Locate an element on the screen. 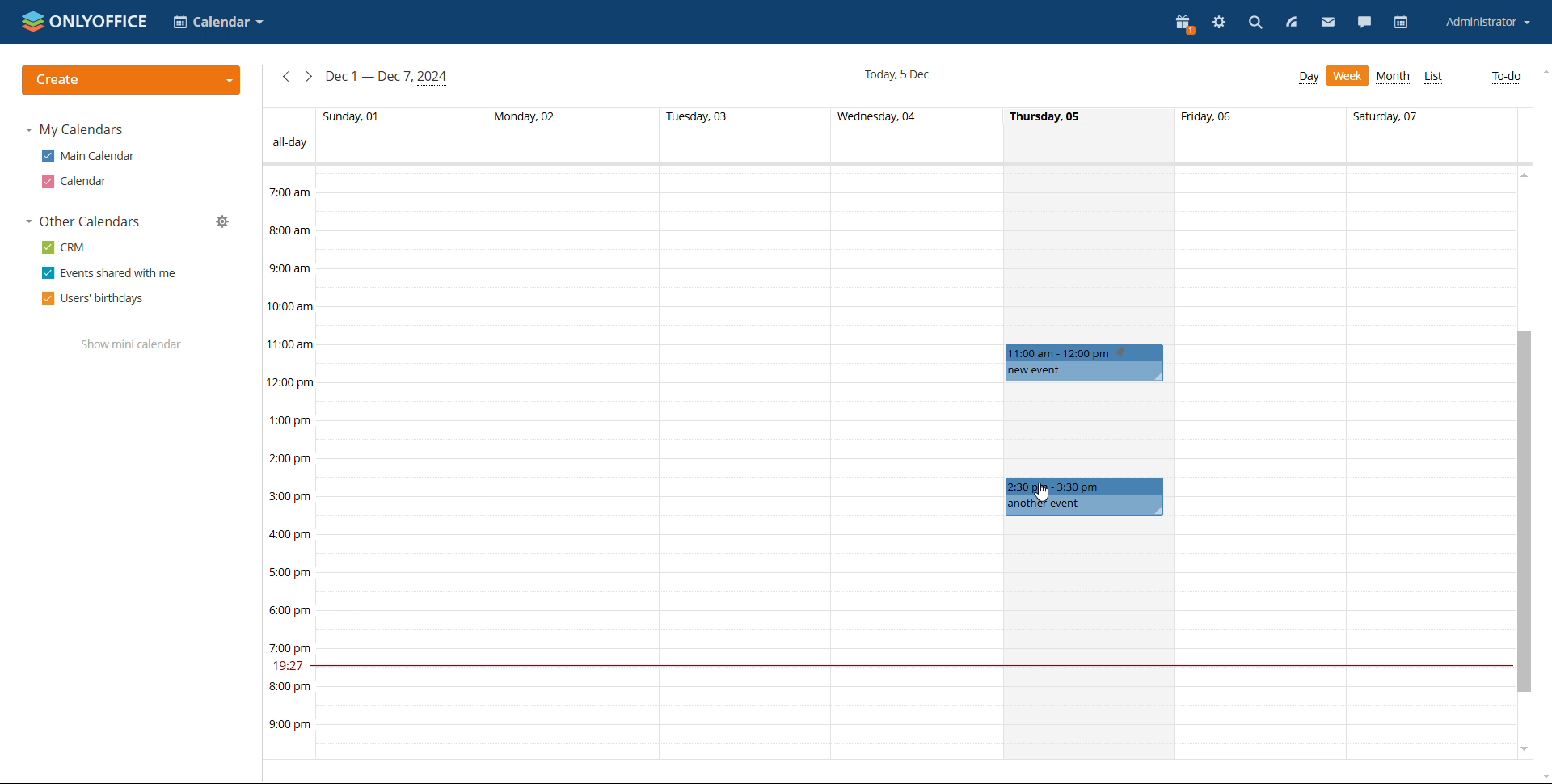  account is located at coordinates (1487, 23).